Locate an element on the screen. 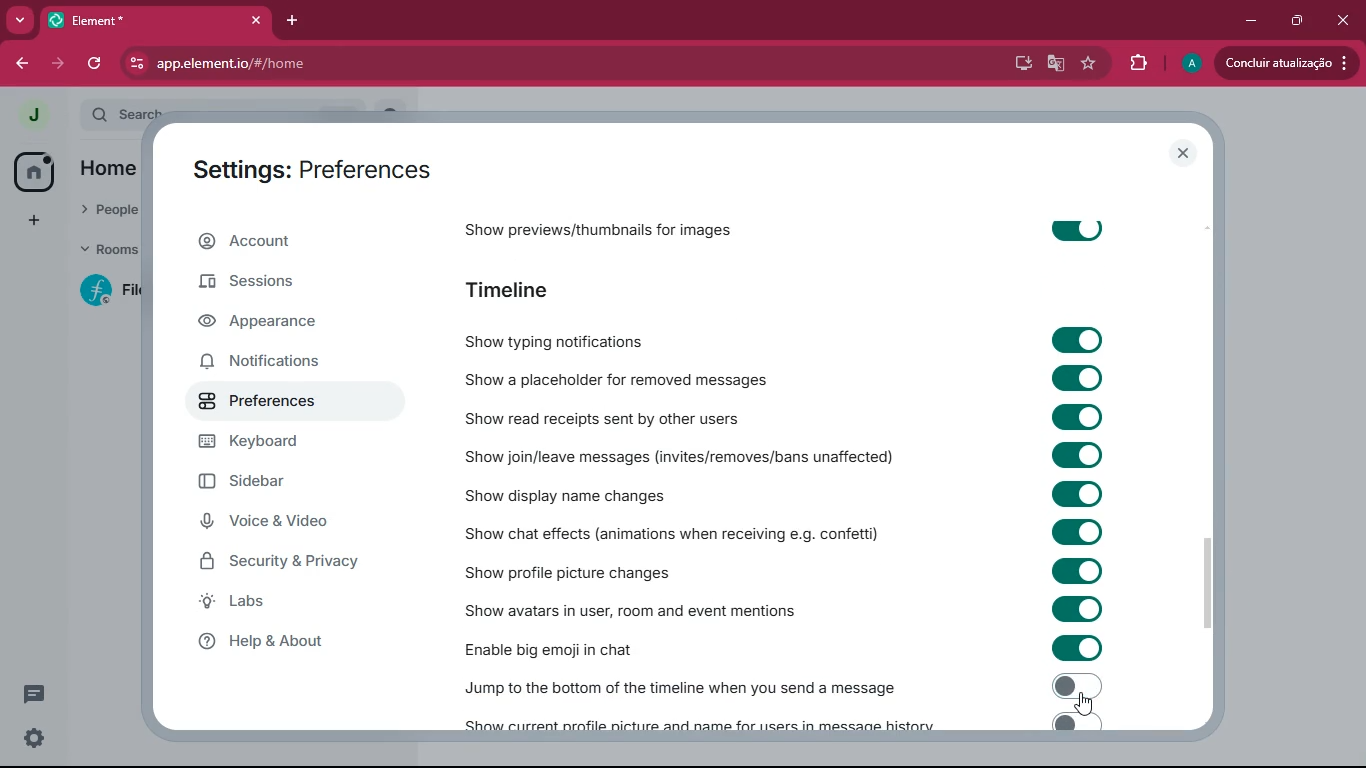 Image resolution: width=1366 pixels, height=768 pixels. extensions is located at coordinates (1139, 64).